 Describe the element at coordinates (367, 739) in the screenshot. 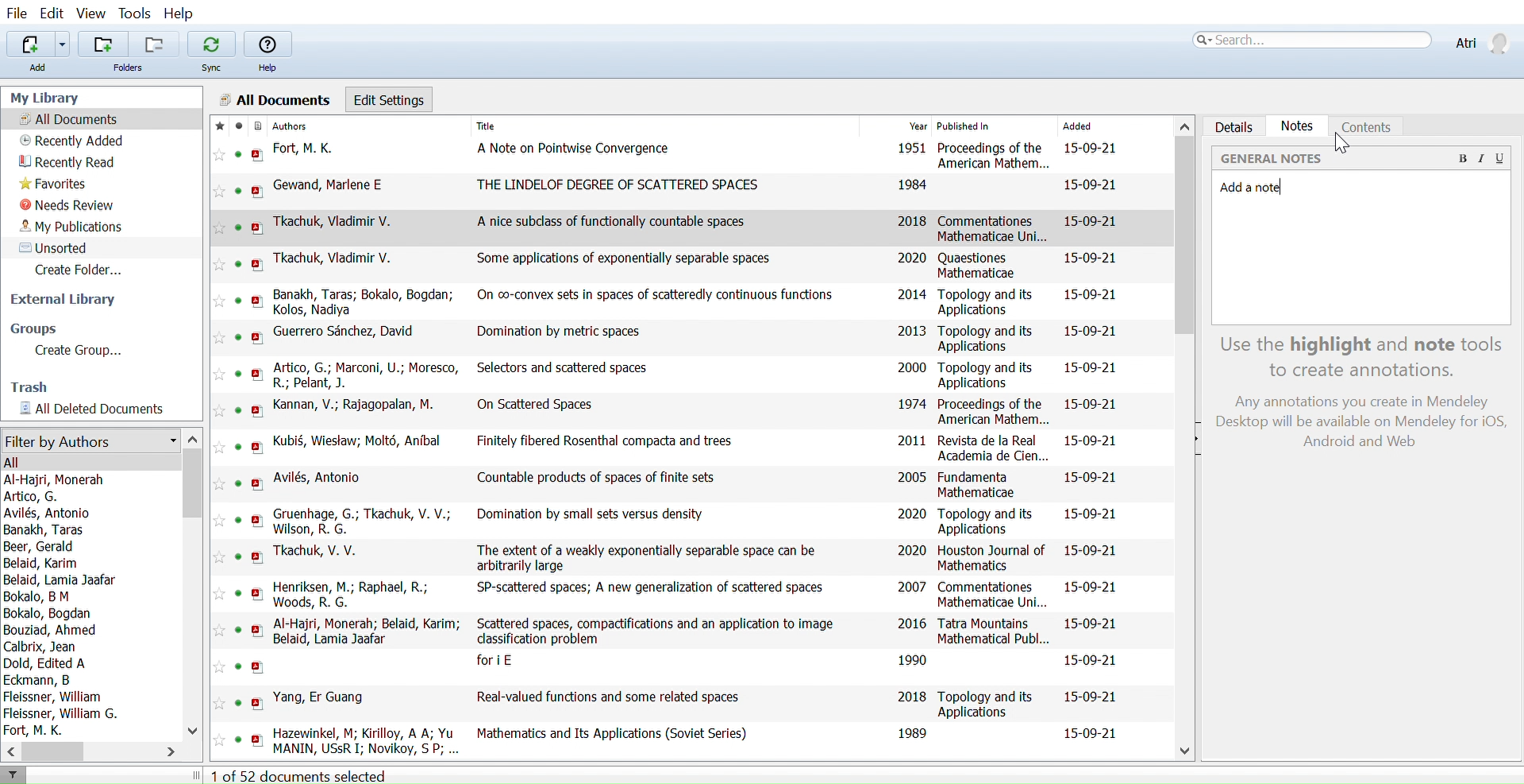

I see `Hazewinkel, M; Kirilloy, A A; Yu MANIN, USsR
I: Novikoy, S P: Rozanoy, Yu A` at that location.